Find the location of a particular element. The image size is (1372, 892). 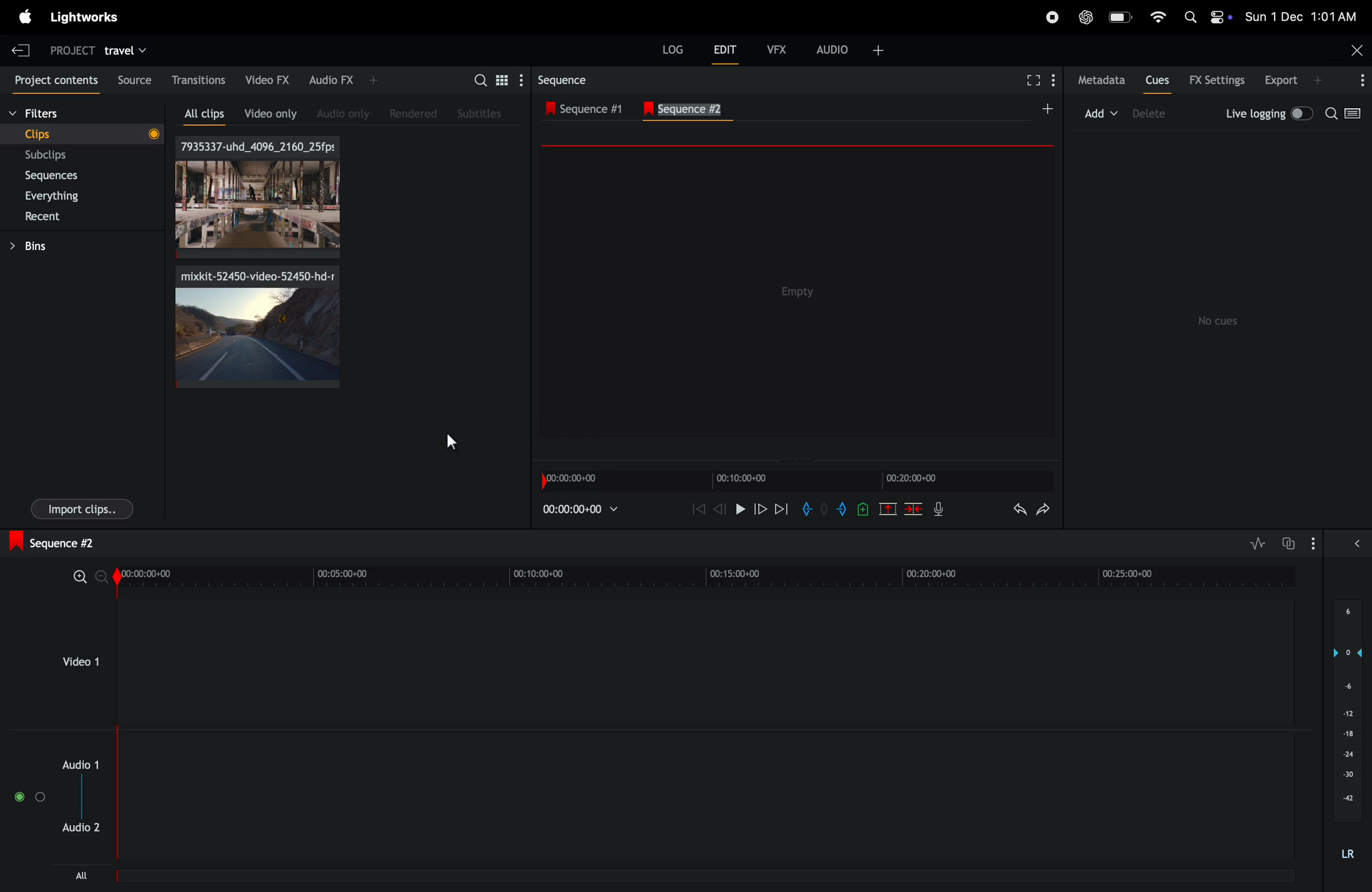

Audio is located at coordinates (27, 797).